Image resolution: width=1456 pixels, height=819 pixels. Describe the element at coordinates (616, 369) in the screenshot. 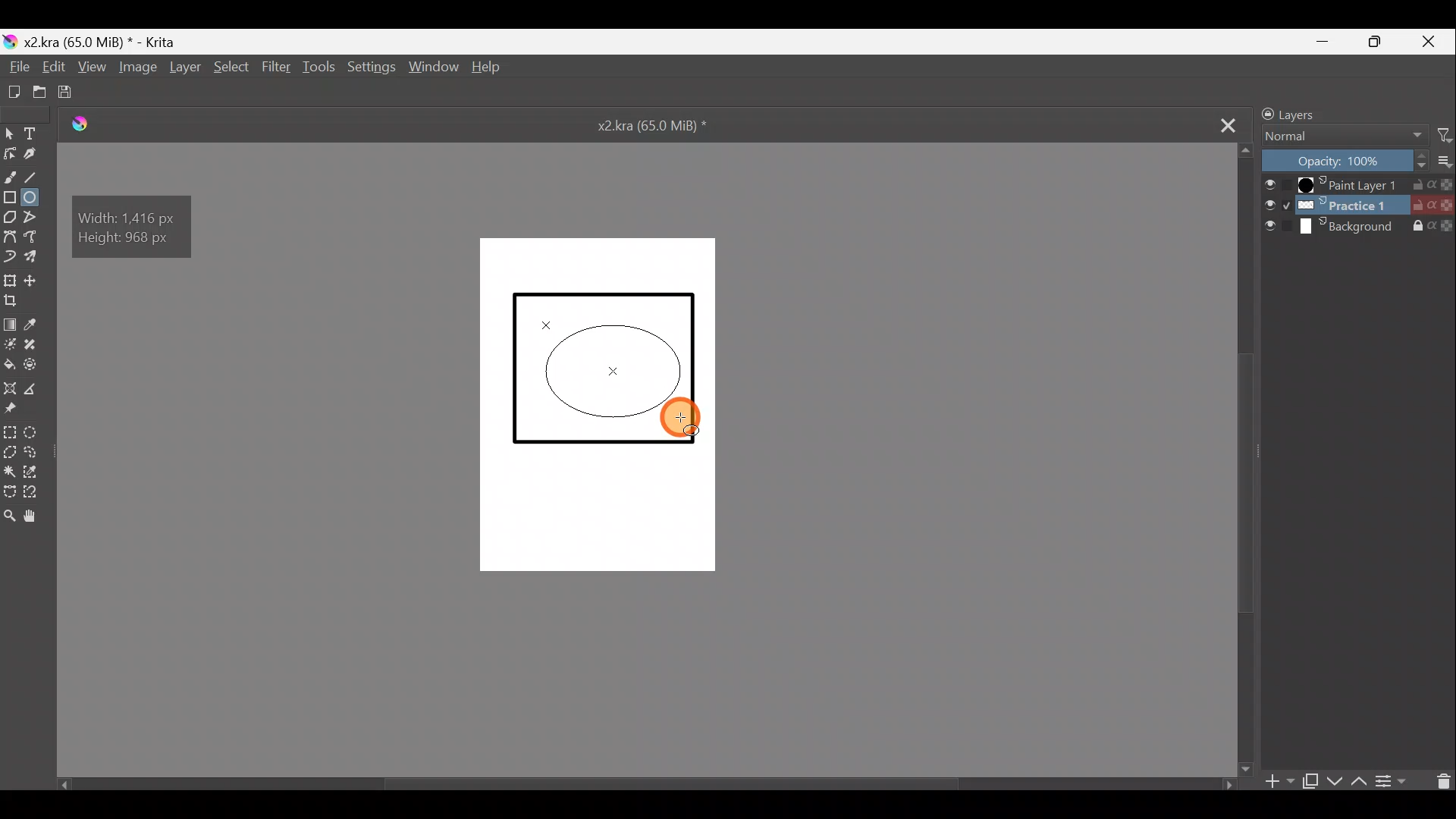

I see `ellipse(circle) on Canvas` at that location.